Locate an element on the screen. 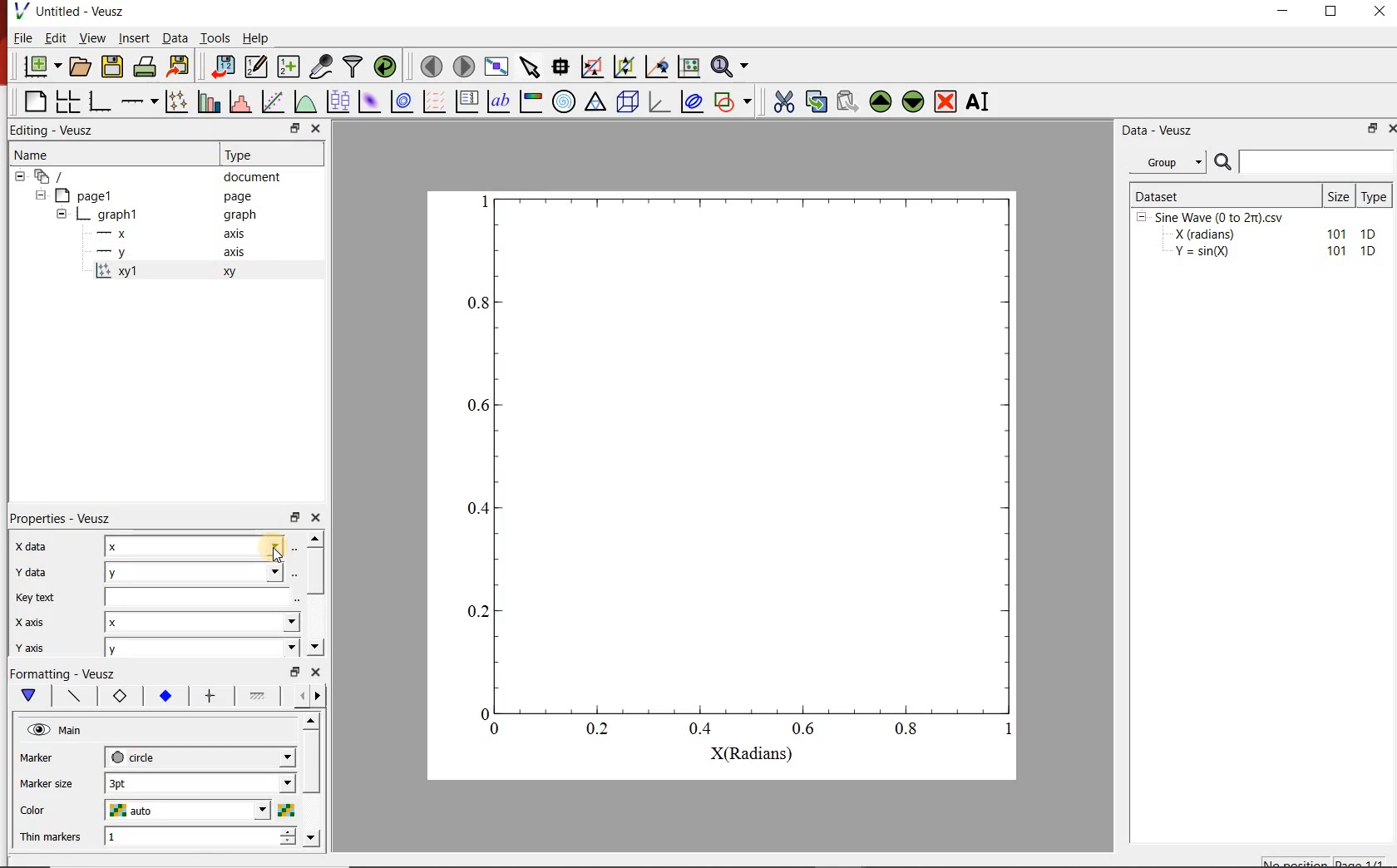  BS —
0.8
0.6
0.4
0.2
0 0.2 0.4 0.6 0.8 1 is located at coordinates (743, 476).